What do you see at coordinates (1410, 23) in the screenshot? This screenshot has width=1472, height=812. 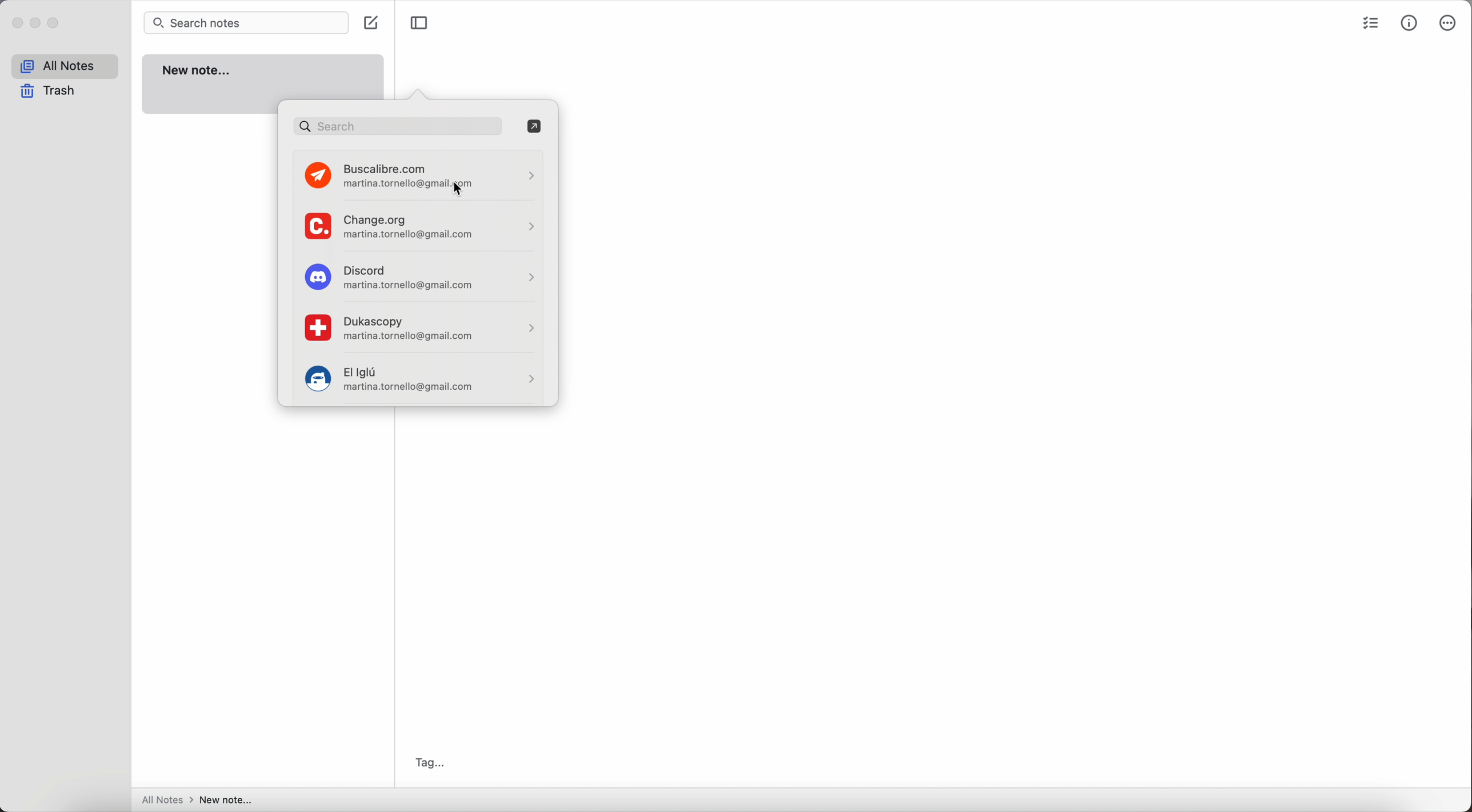 I see `metrics` at bounding box center [1410, 23].